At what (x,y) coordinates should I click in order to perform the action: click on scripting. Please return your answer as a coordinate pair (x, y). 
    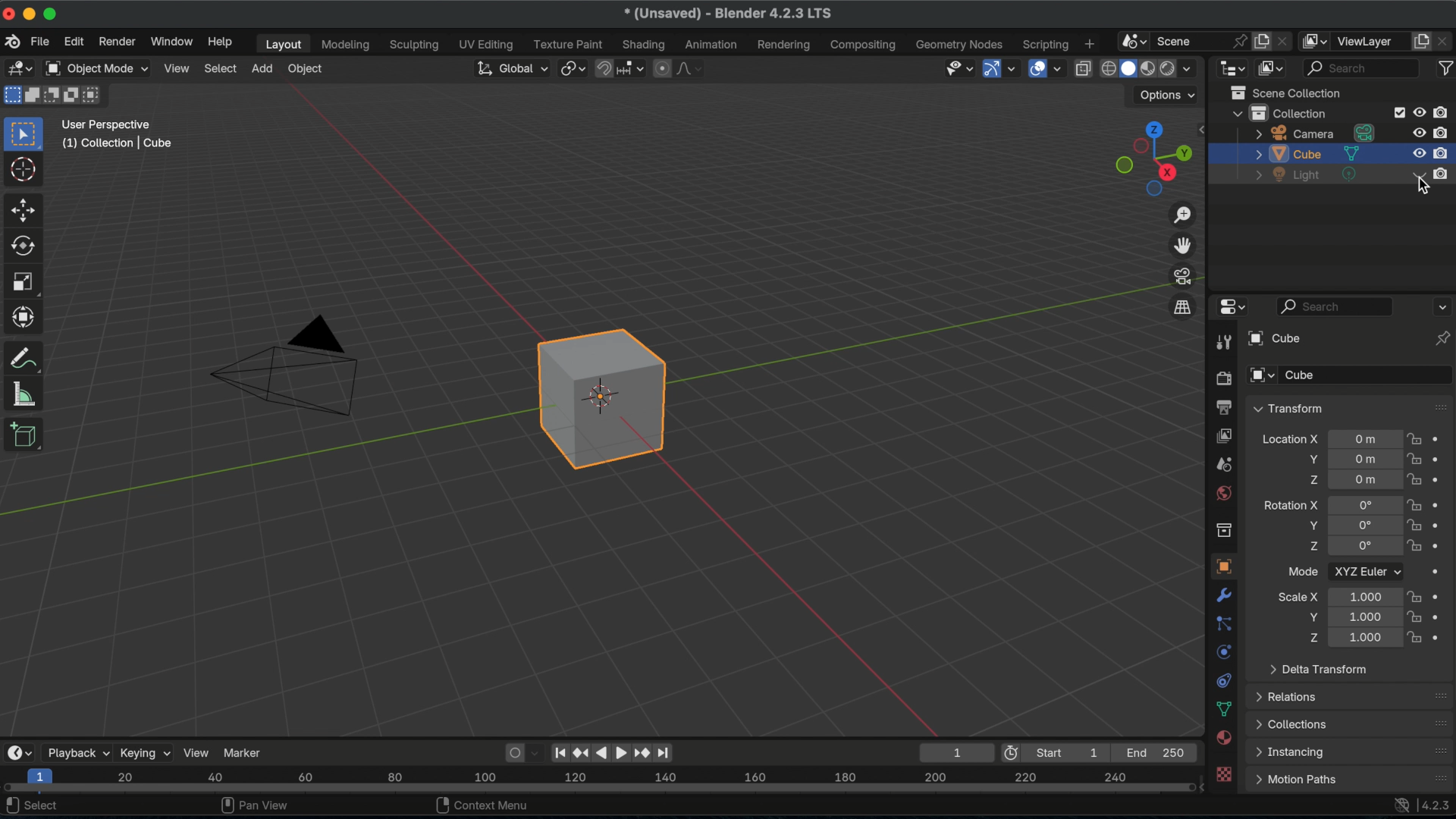
    Looking at the image, I should click on (1044, 44).